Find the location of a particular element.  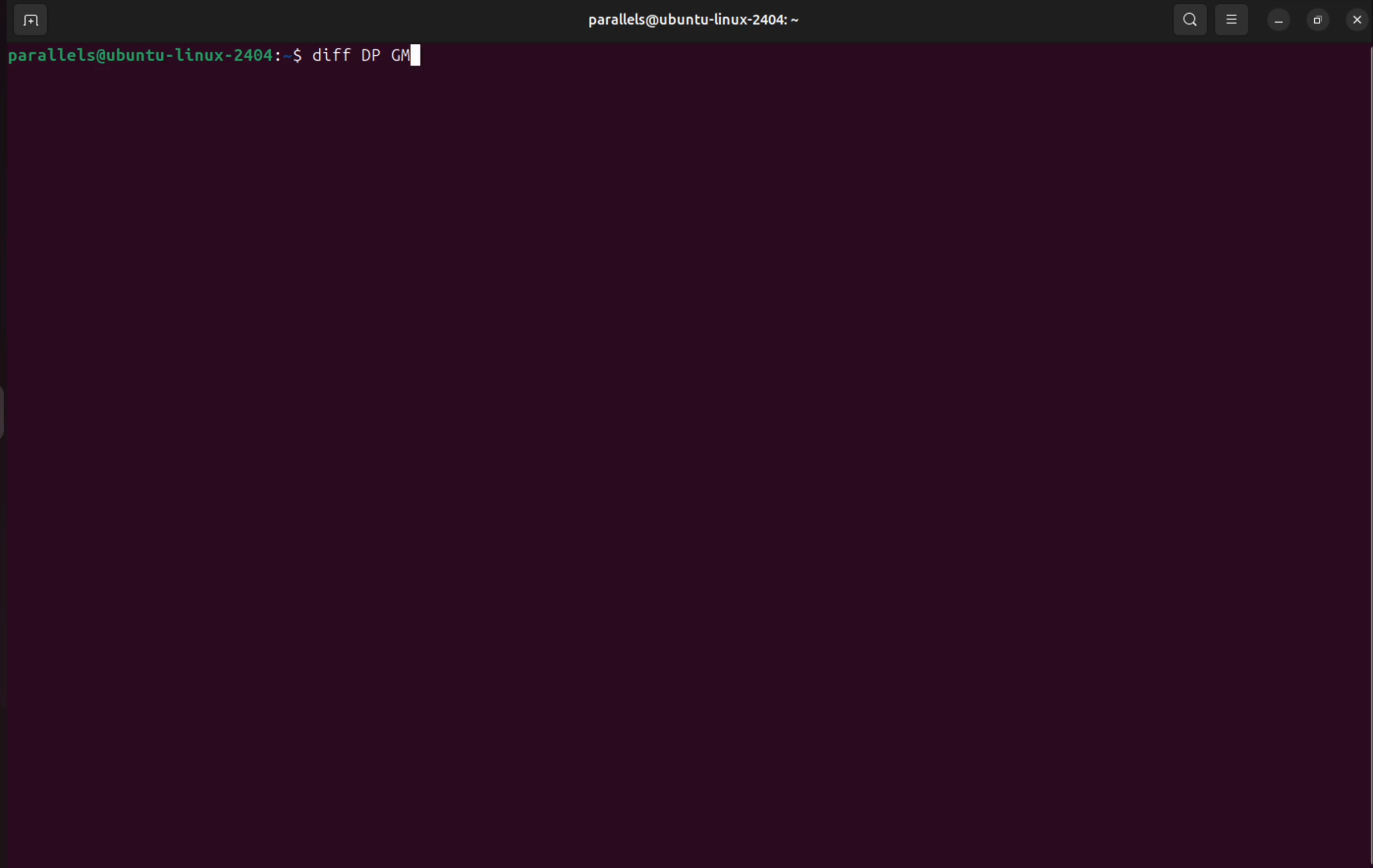

view options is located at coordinates (1235, 20).